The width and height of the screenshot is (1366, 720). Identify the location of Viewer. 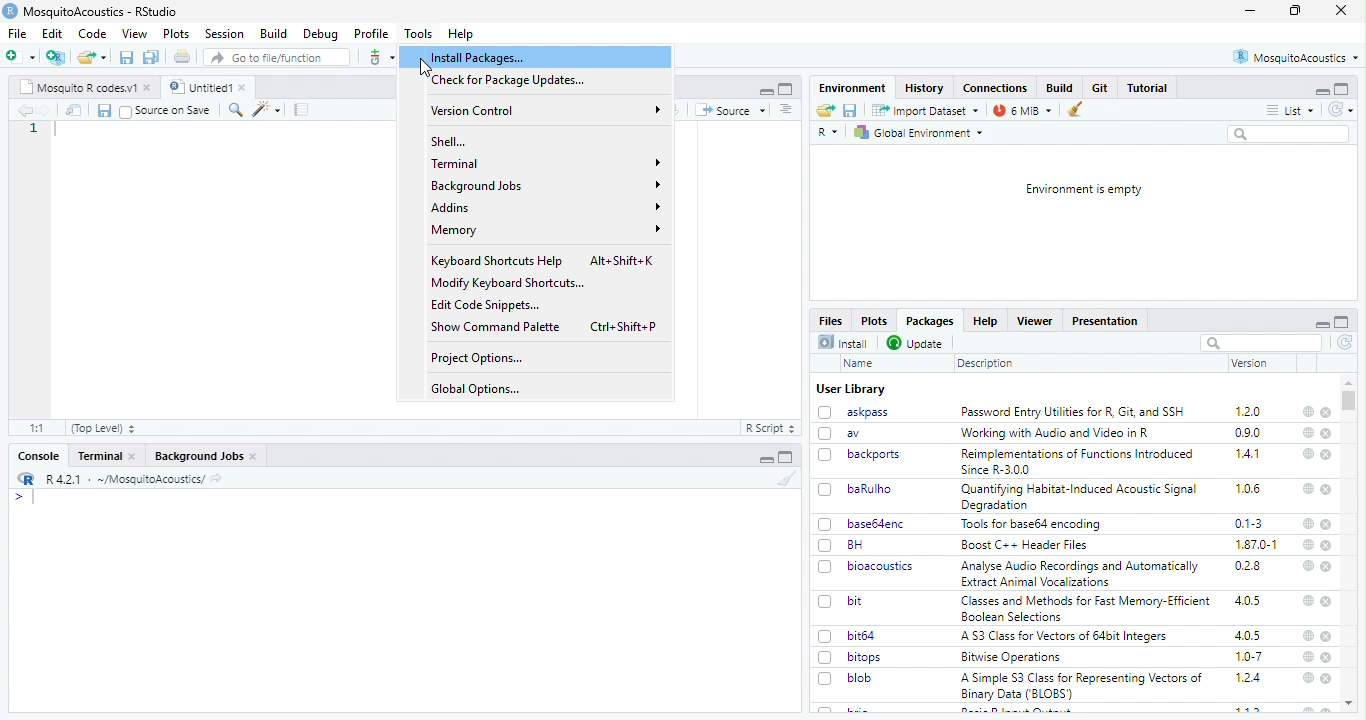
(1034, 321).